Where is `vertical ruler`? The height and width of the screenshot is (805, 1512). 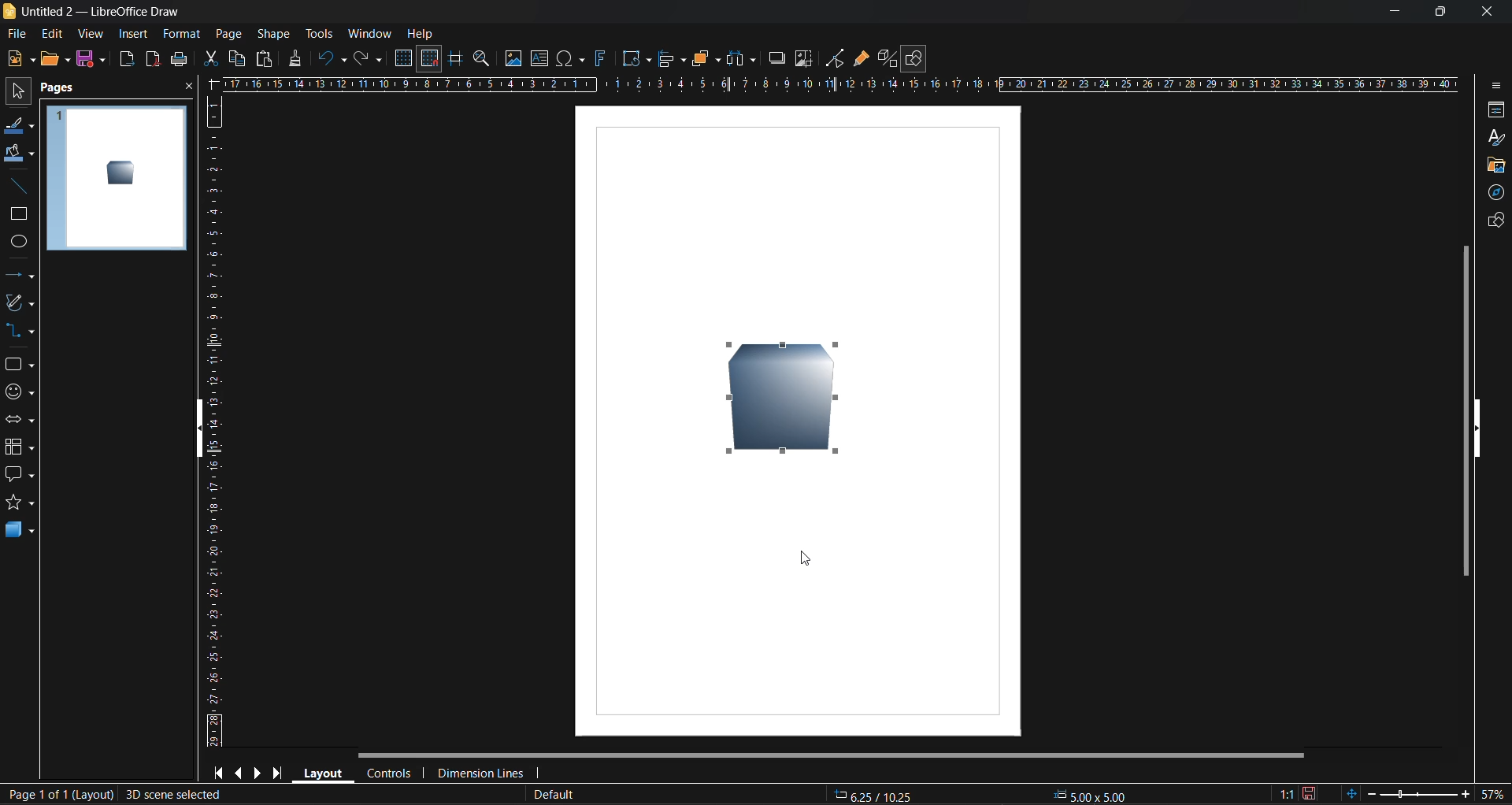
vertical ruler is located at coordinates (215, 421).